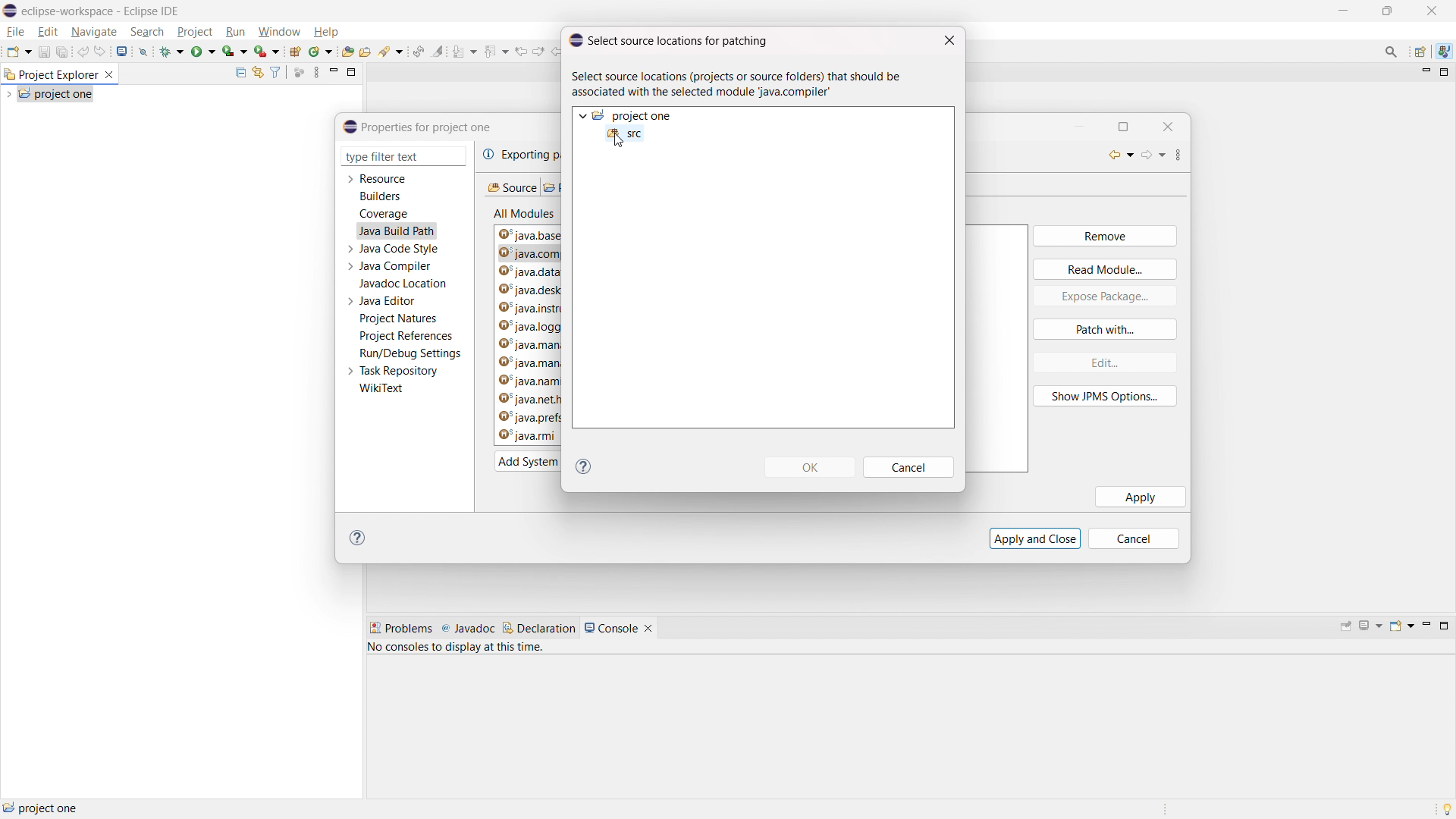 The image size is (1456, 819). Describe the element at coordinates (50, 74) in the screenshot. I see `project explorer` at that location.